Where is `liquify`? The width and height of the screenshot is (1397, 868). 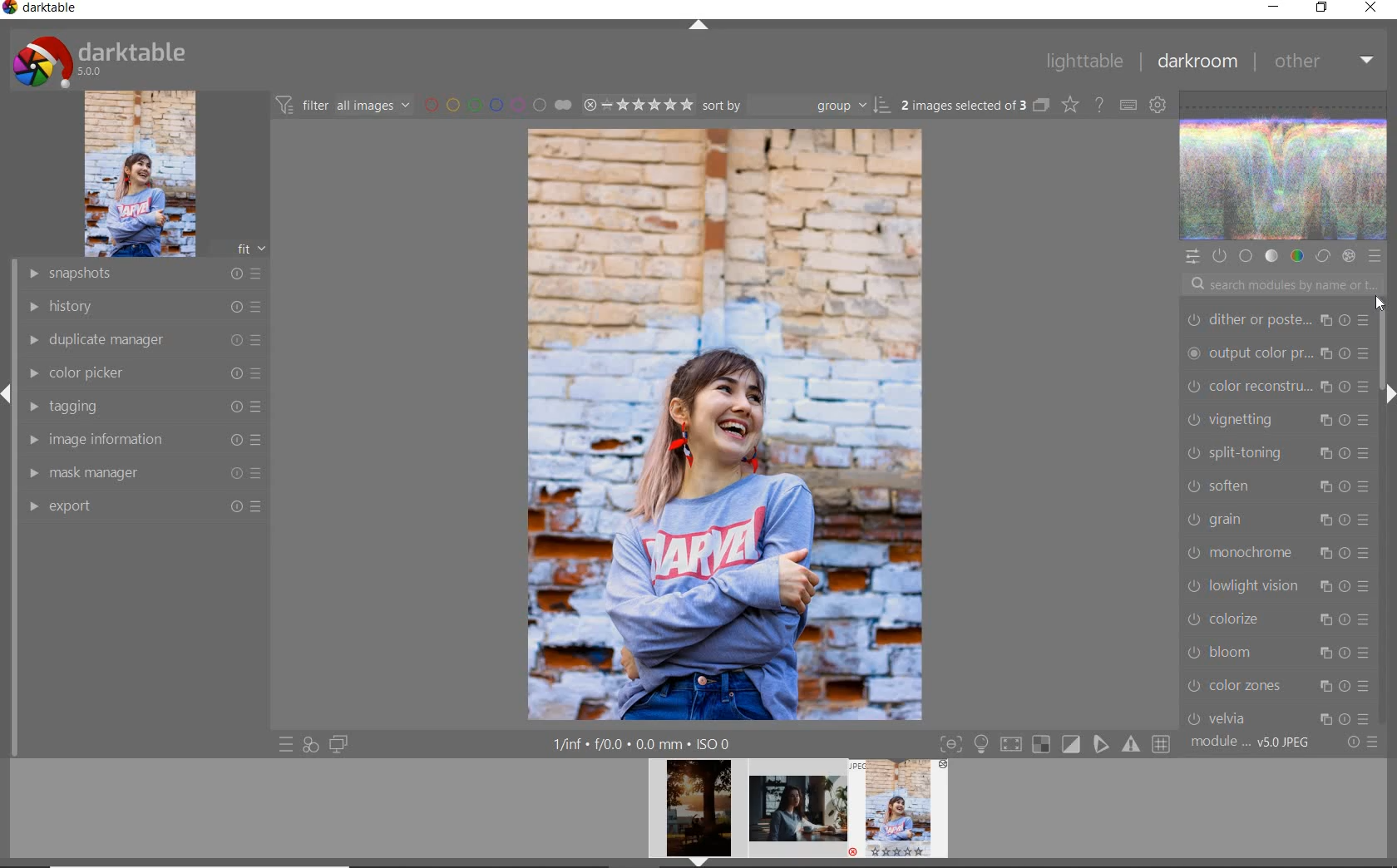 liquify is located at coordinates (1276, 483).